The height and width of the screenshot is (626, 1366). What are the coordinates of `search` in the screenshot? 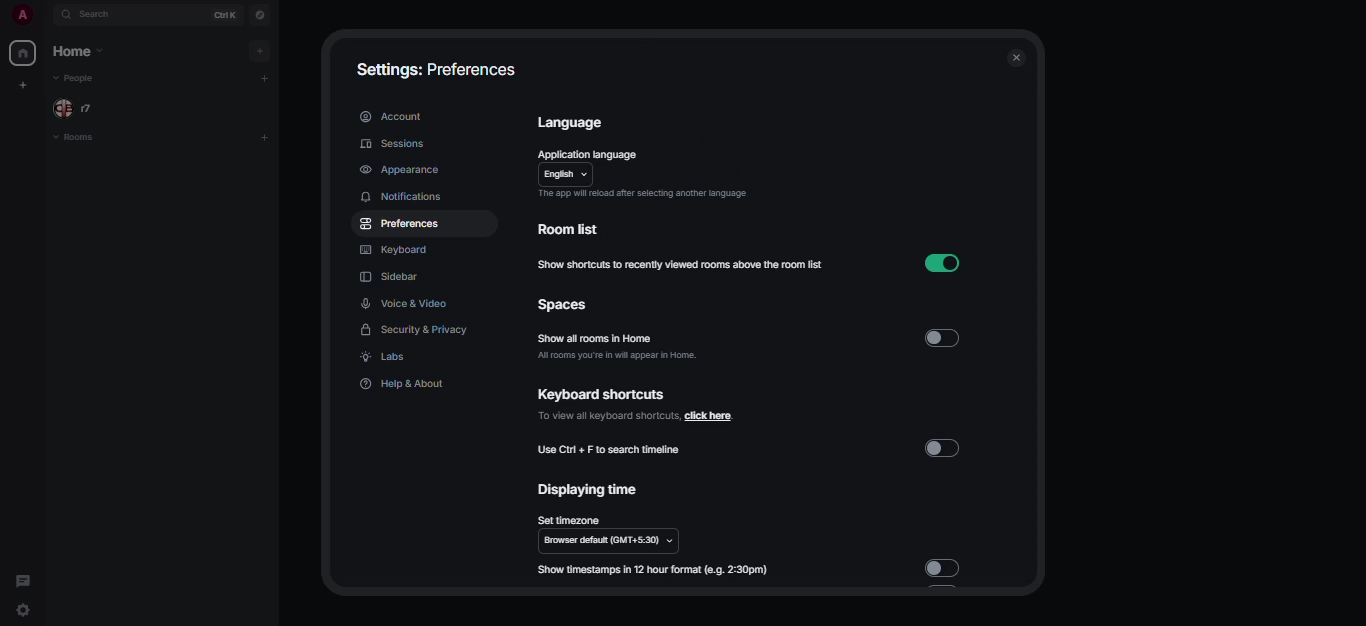 It's located at (97, 13).